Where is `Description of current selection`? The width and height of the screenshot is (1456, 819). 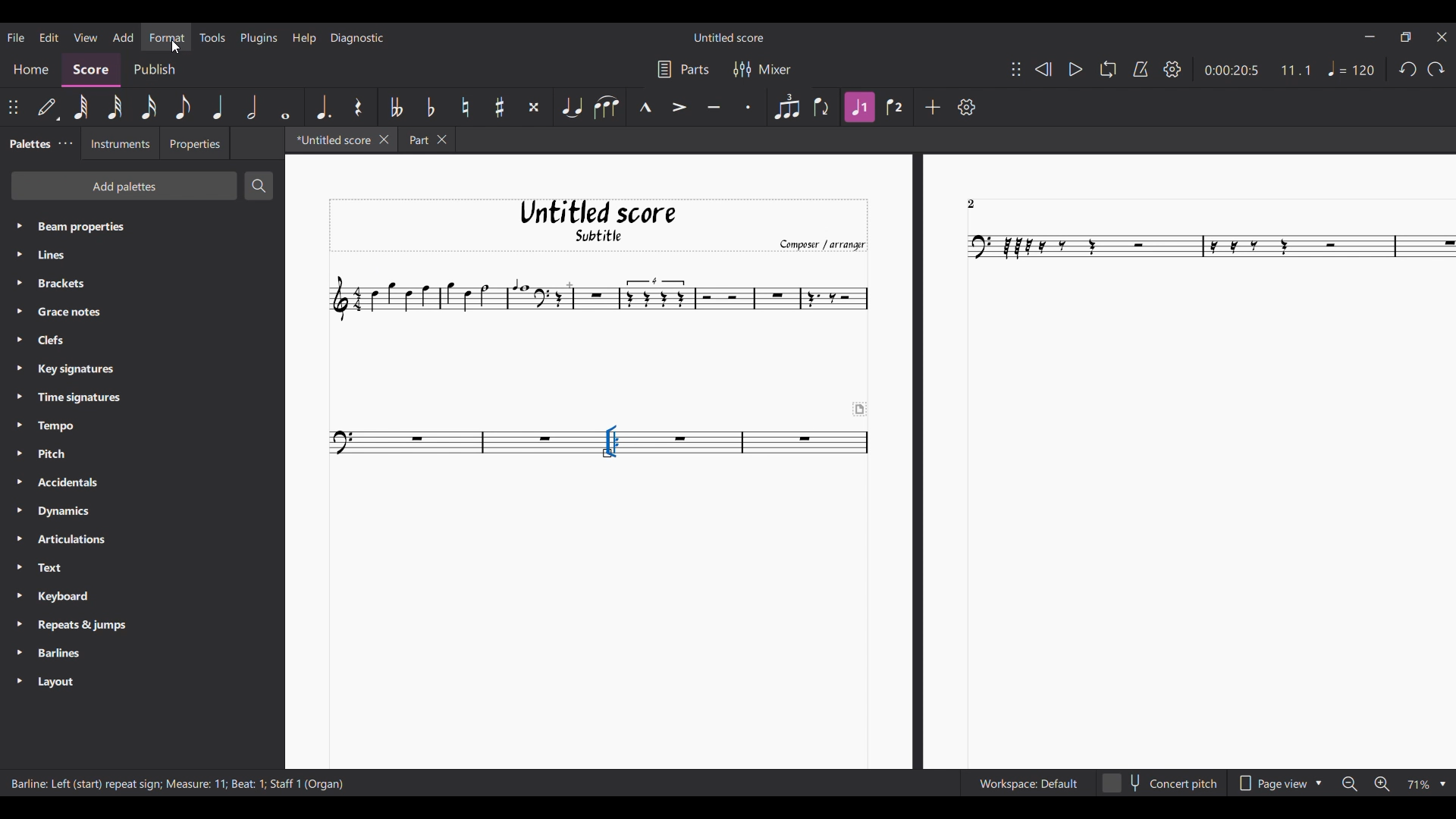 Description of current selection is located at coordinates (178, 783).